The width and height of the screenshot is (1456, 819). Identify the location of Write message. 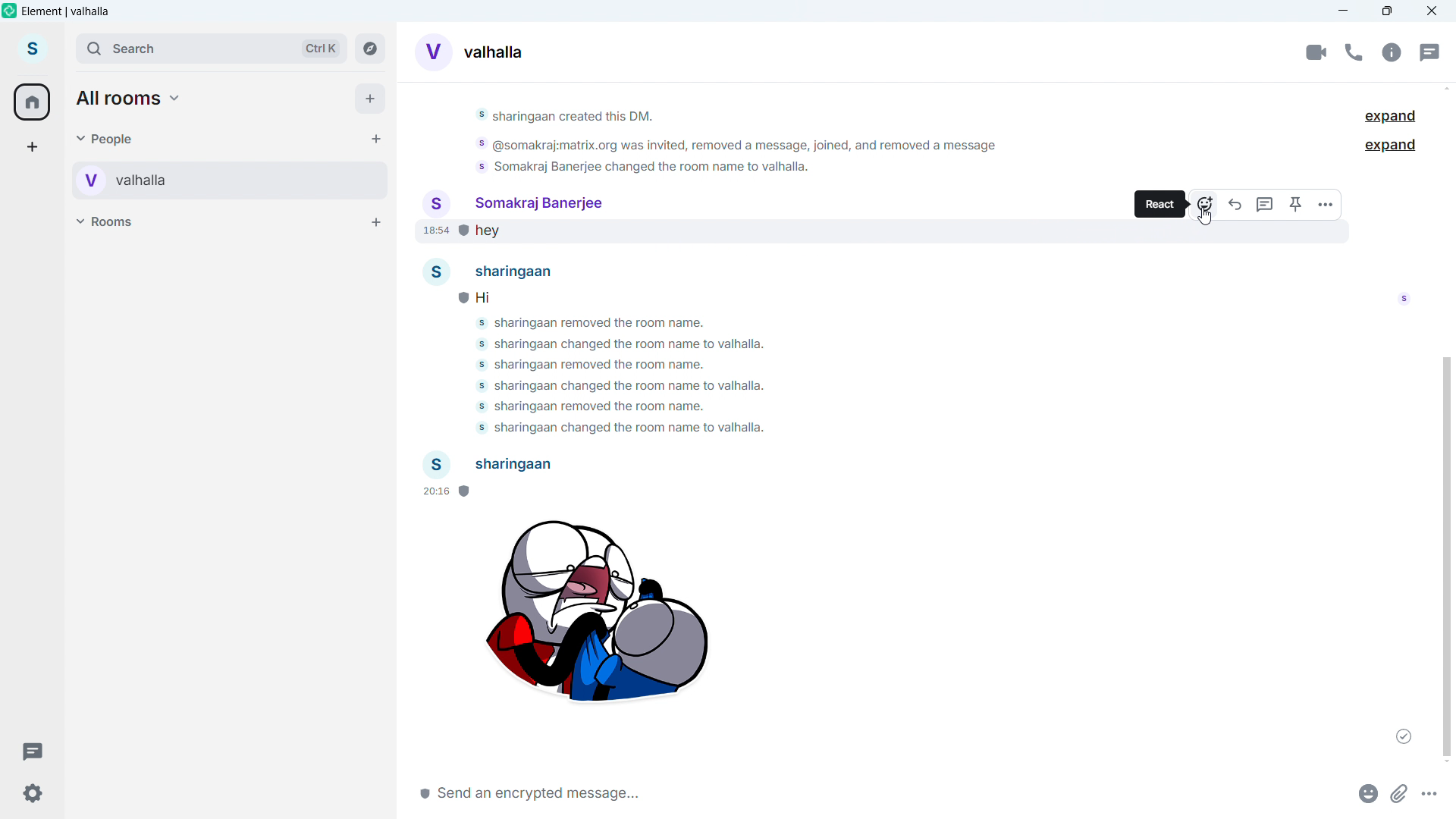
(636, 792).